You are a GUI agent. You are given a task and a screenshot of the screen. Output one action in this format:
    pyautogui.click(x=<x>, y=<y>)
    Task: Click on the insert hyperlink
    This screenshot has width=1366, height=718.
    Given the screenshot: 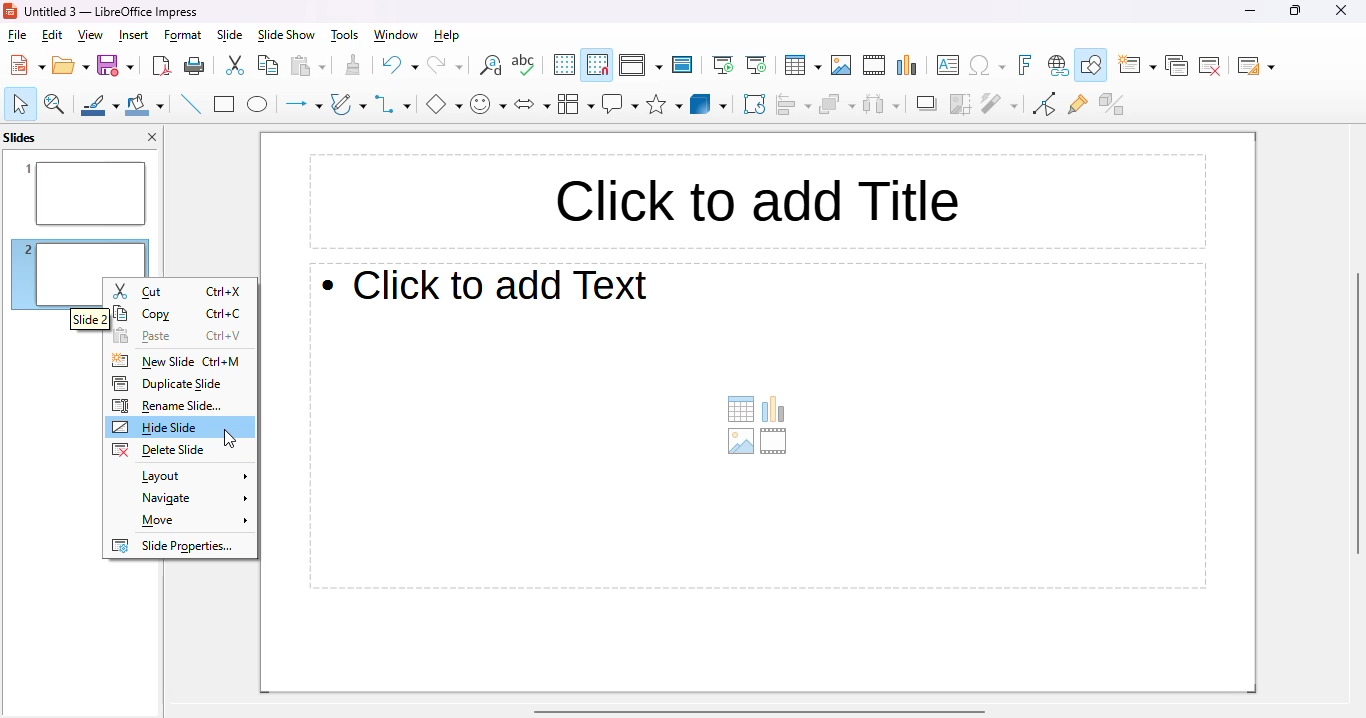 What is the action you would take?
    pyautogui.click(x=1058, y=66)
    